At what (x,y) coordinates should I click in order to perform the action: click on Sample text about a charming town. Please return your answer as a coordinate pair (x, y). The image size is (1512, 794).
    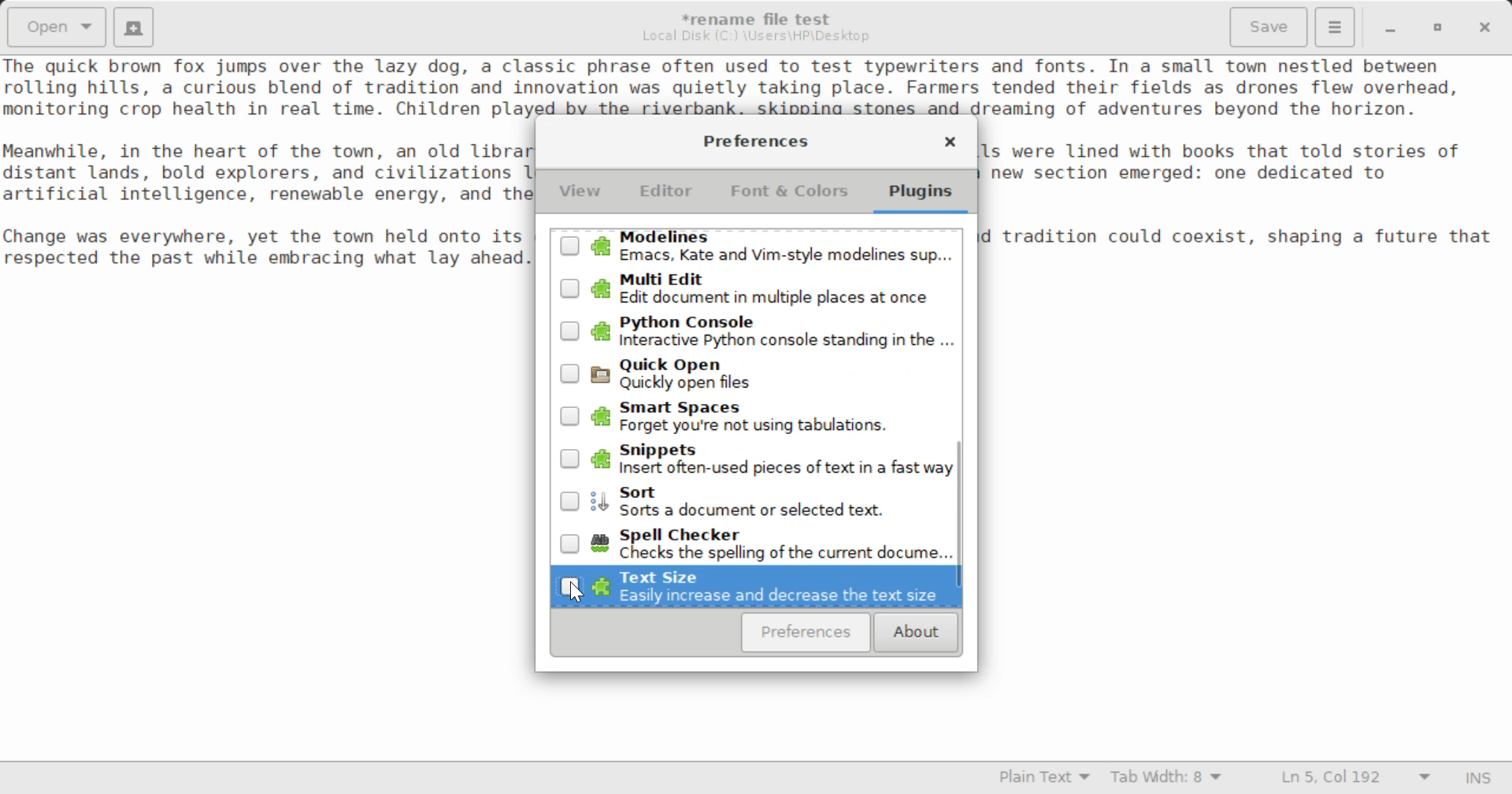
    Looking at the image, I should click on (756, 86).